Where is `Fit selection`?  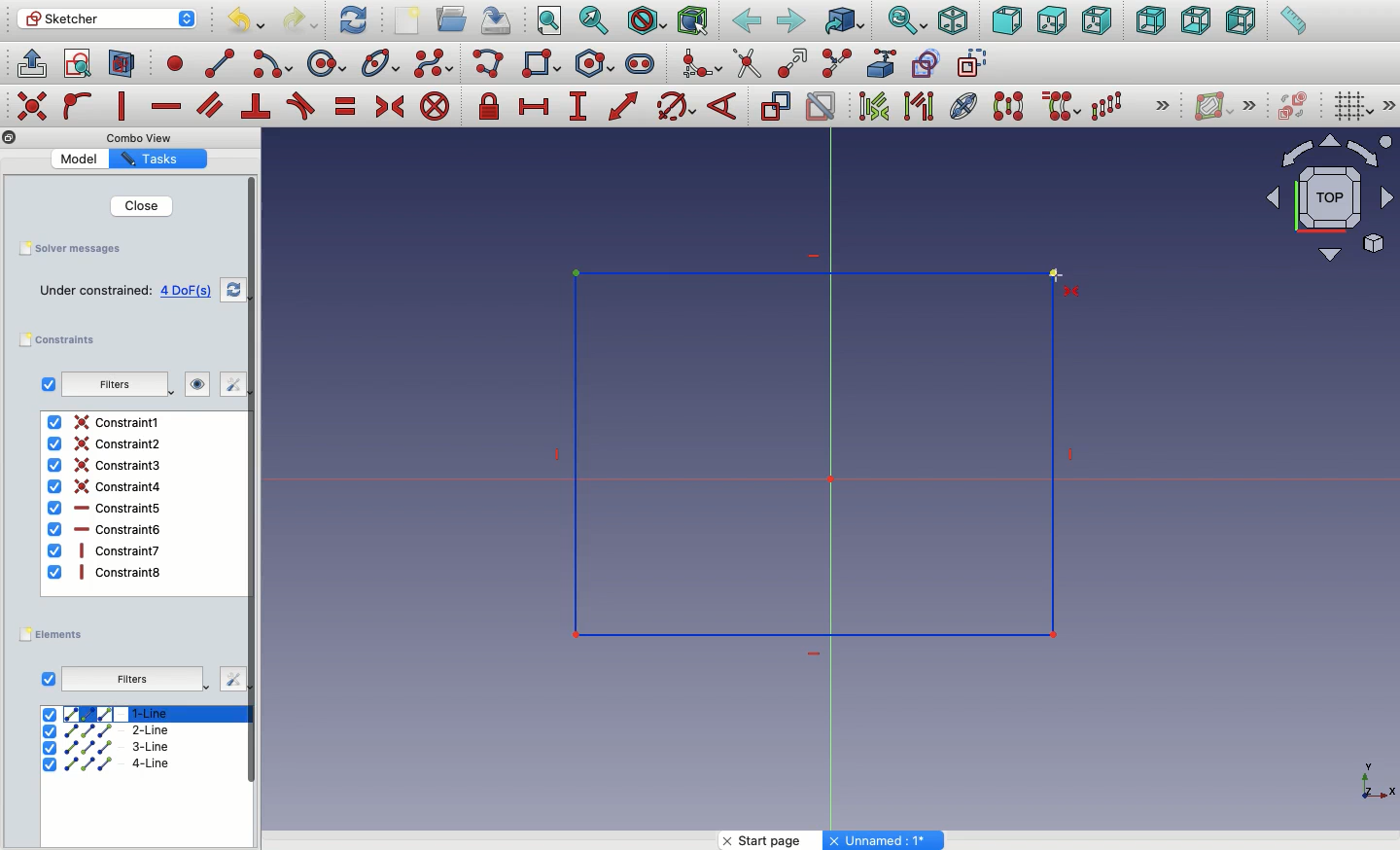 Fit selection is located at coordinates (594, 20).